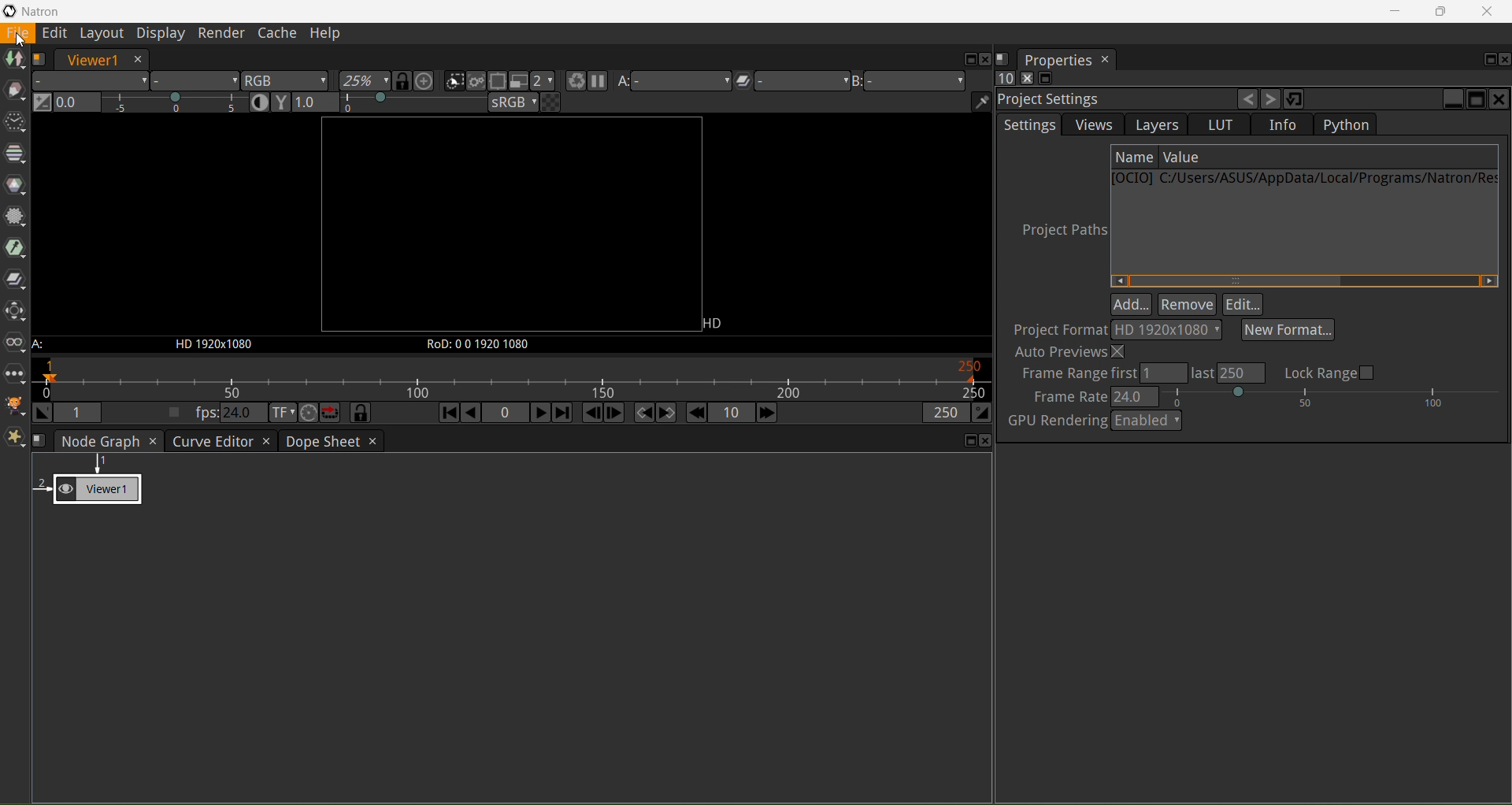  Describe the element at coordinates (968, 442) in the screenshot. I see `Float pane` at that location.